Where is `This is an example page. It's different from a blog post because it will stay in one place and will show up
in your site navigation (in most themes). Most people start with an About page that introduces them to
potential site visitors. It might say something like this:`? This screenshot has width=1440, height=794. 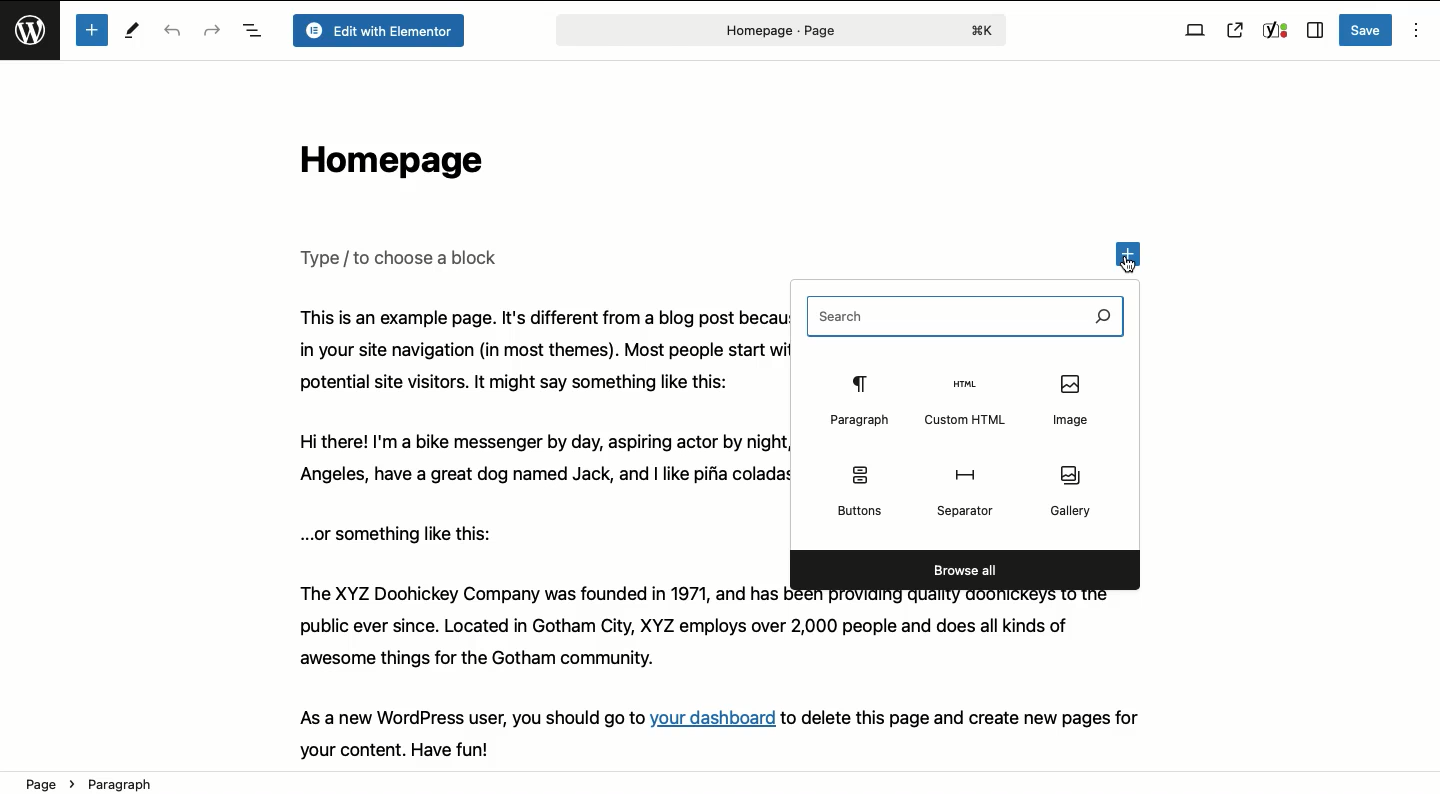 This is an example page. It's different from a blog post because it will stay in one place and will show up
in your site navigation (in most themes). Most people start with an About page that introduces them to
potential site visitors. It might say something like this: is located at coordinates (534, 350).